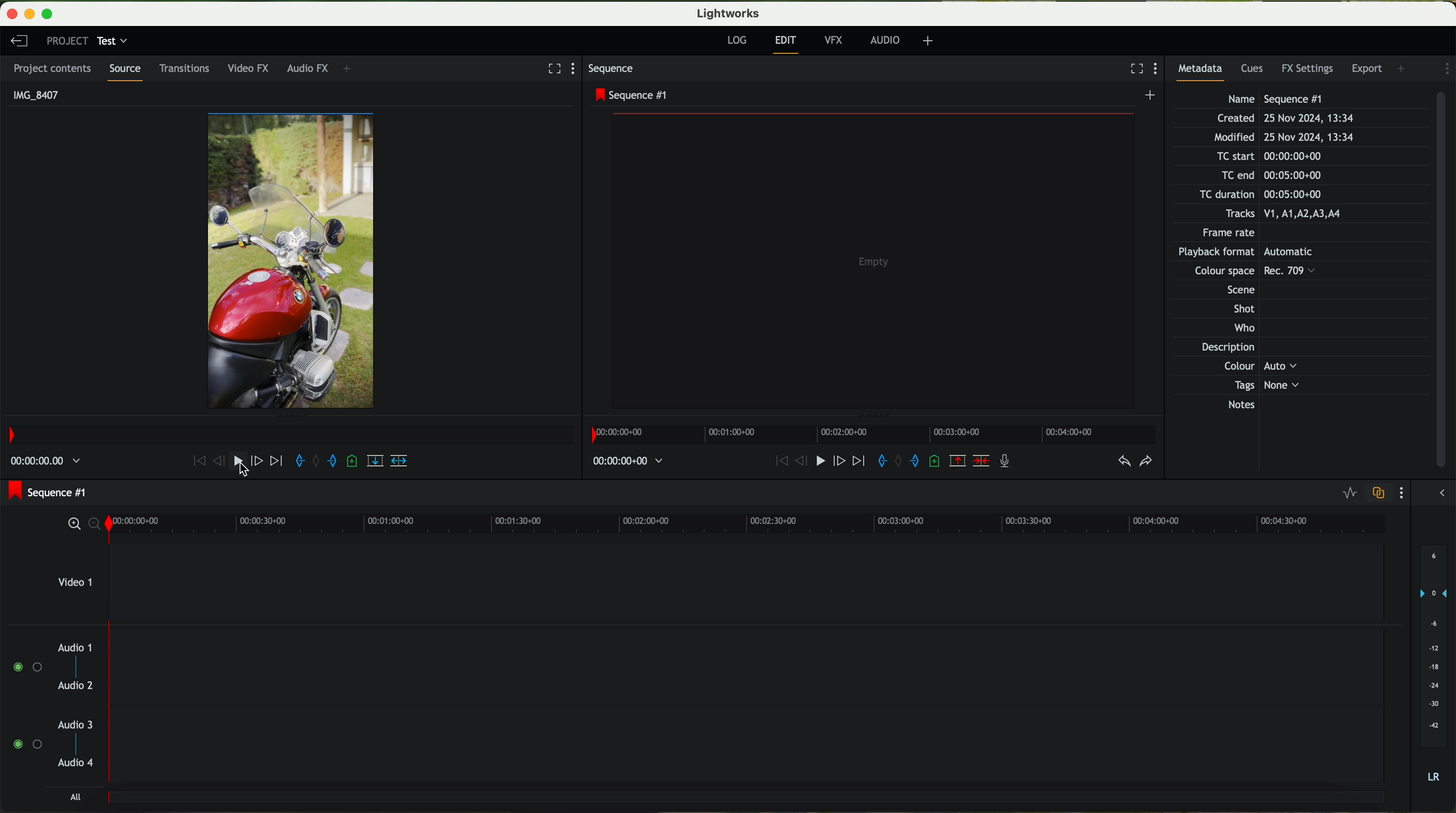 Image resolution: width=1456 pixels, height=813 pixels. Describe the element at coordinates (787, 44) in the screenshot. I see `edit` at that location.